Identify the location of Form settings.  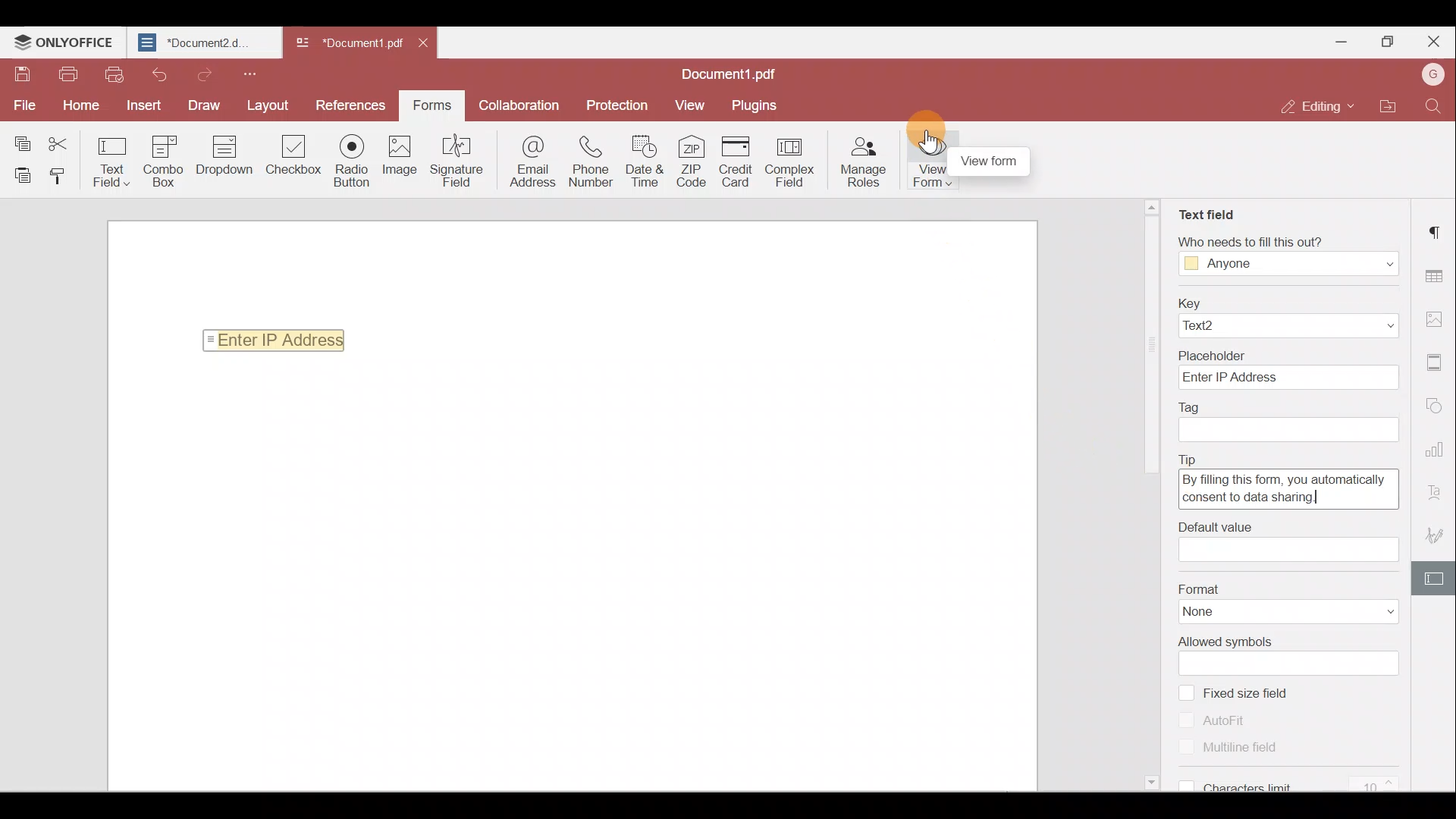
(1437, 577).